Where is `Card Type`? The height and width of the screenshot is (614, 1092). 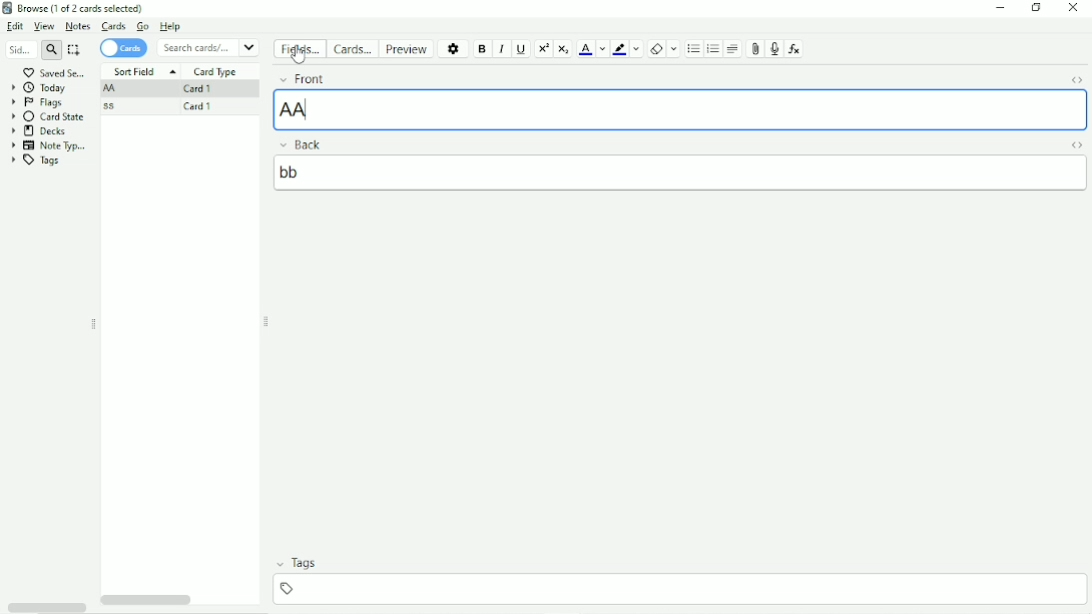
Card Type is located at coordinates (217, 72).